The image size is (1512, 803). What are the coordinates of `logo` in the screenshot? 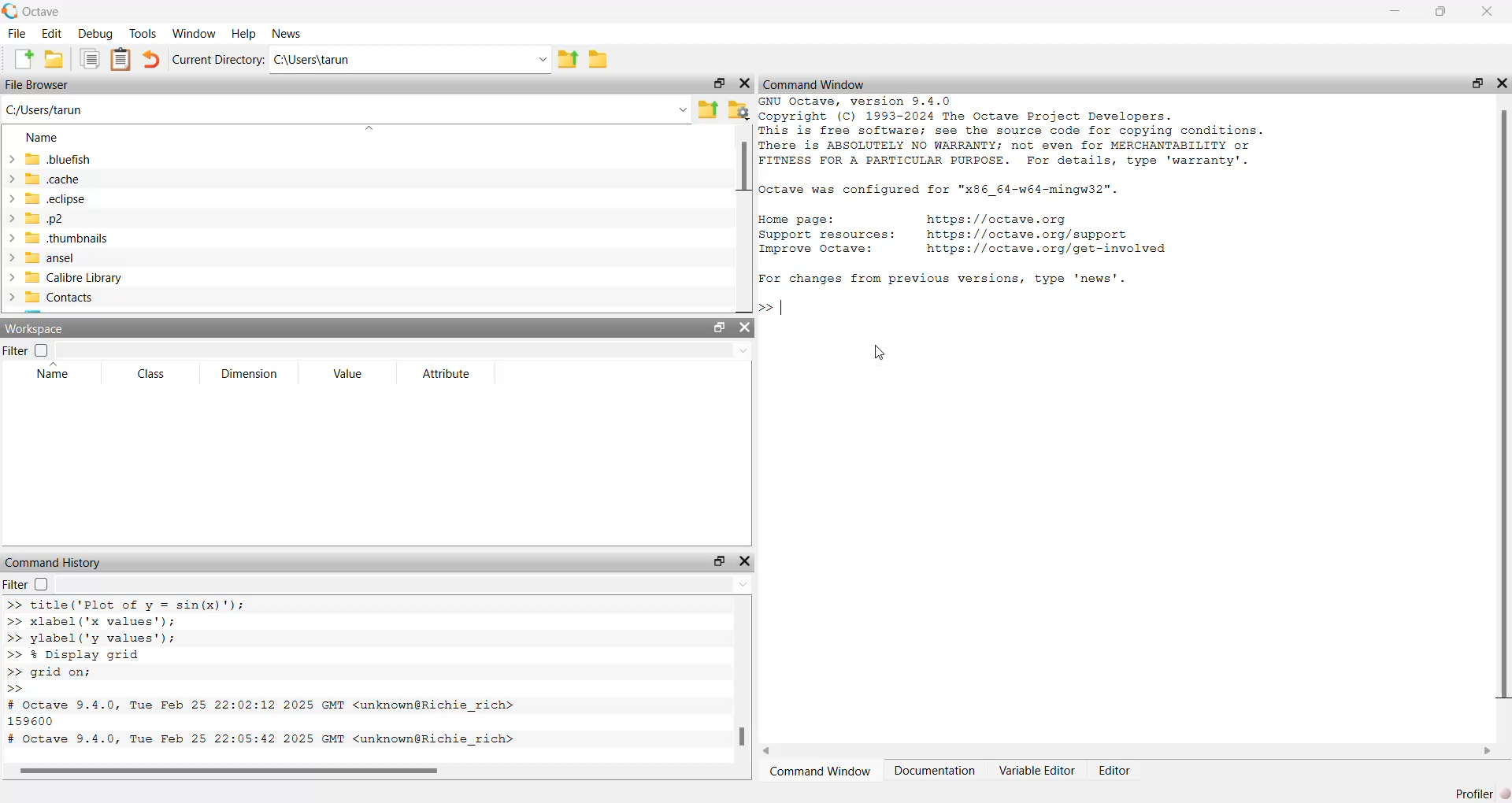 It's located at (9, 11).